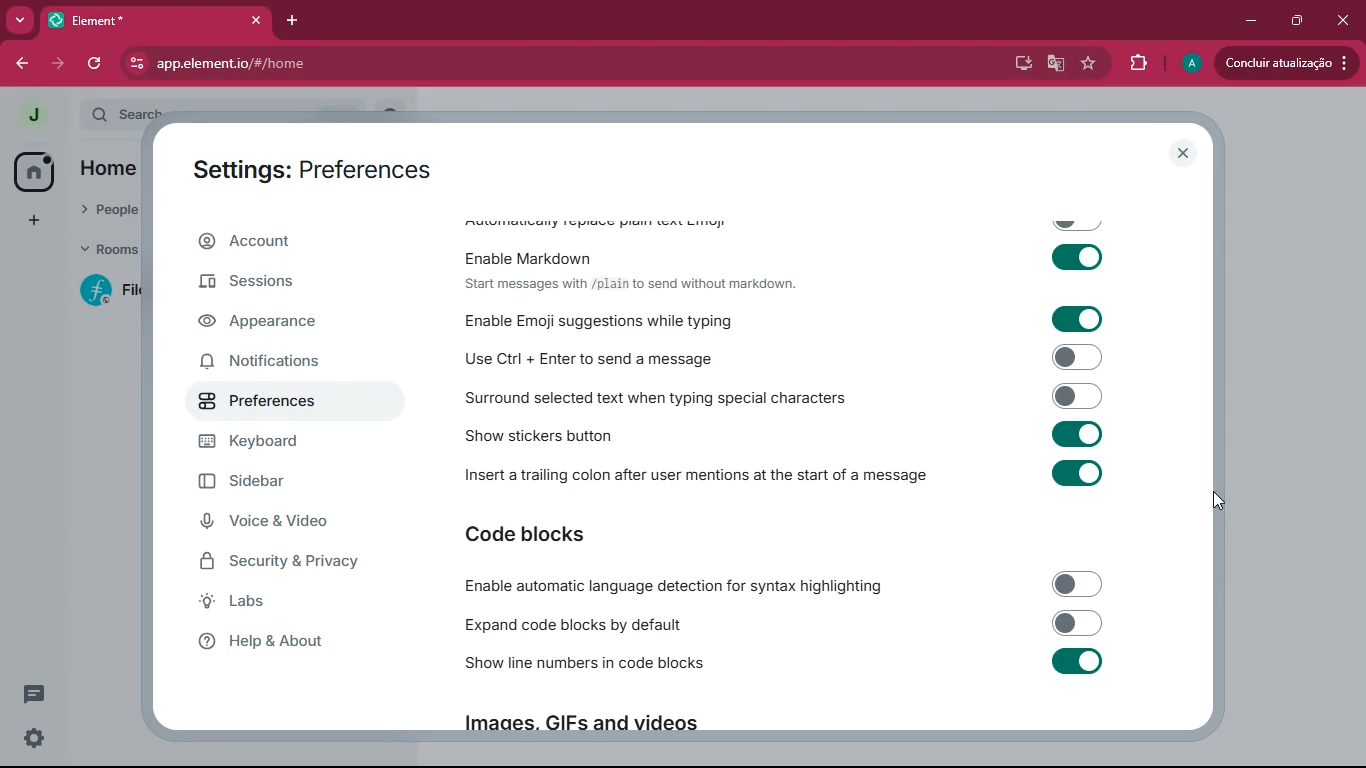  What do you see at coordinates (109, 247) in the screenshot?
I see `rooms` at bounding box center [109, 247].